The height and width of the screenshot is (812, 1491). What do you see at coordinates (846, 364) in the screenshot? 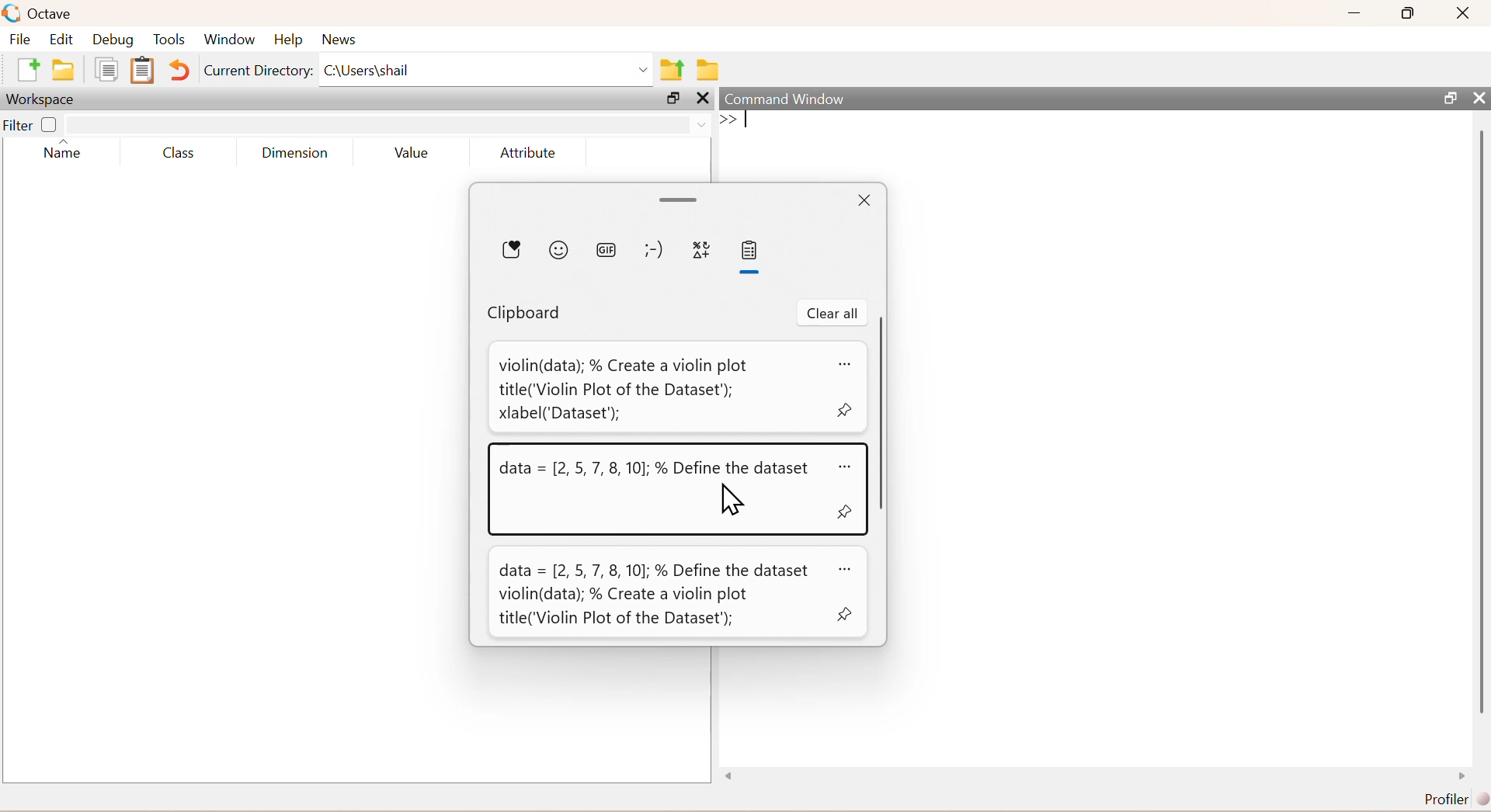
I see `options` at bounding box center [846, 364].